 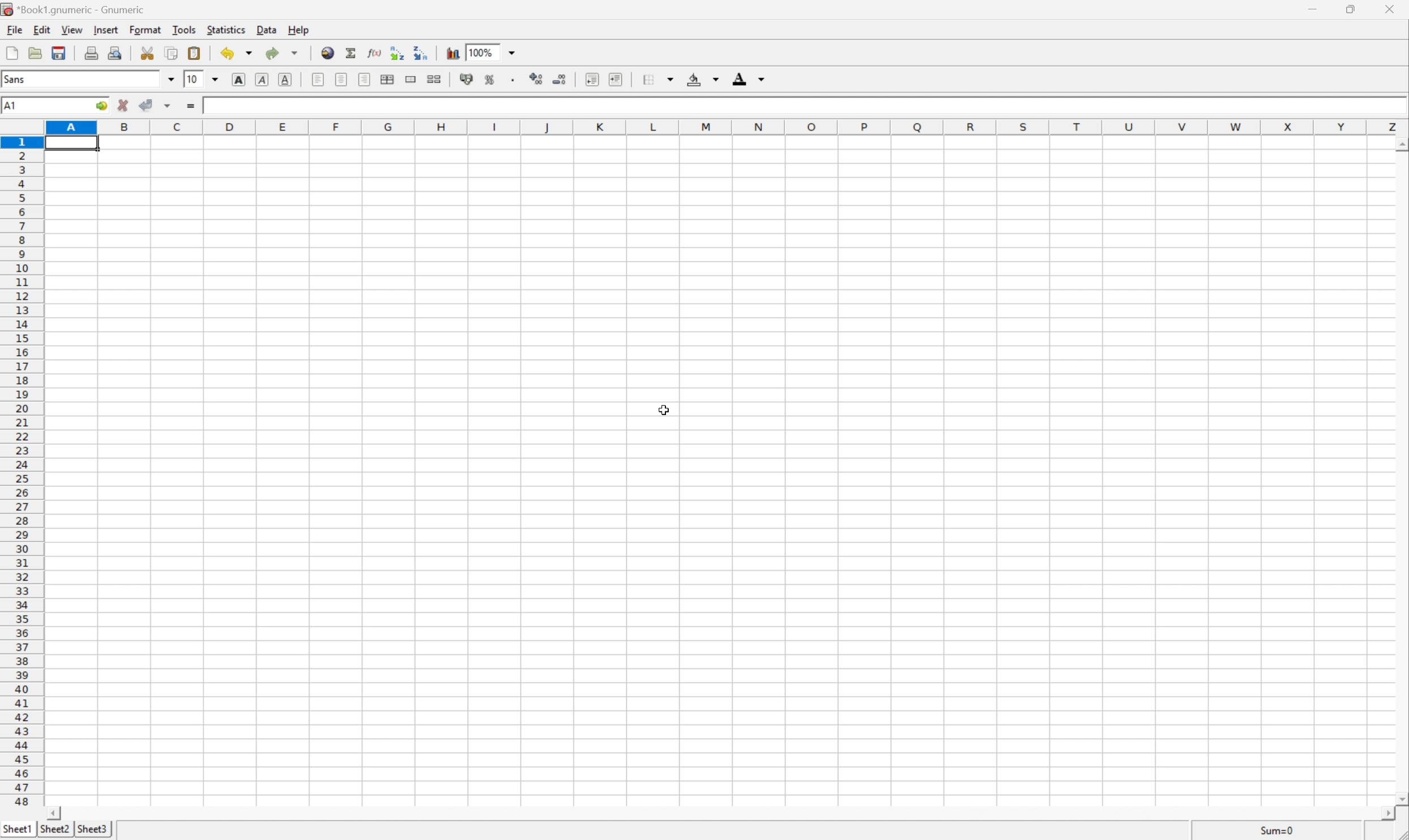 What do you see at coordinates (16, 106) in the screenshot?
I see `A1` at bounding box center [16, 106].